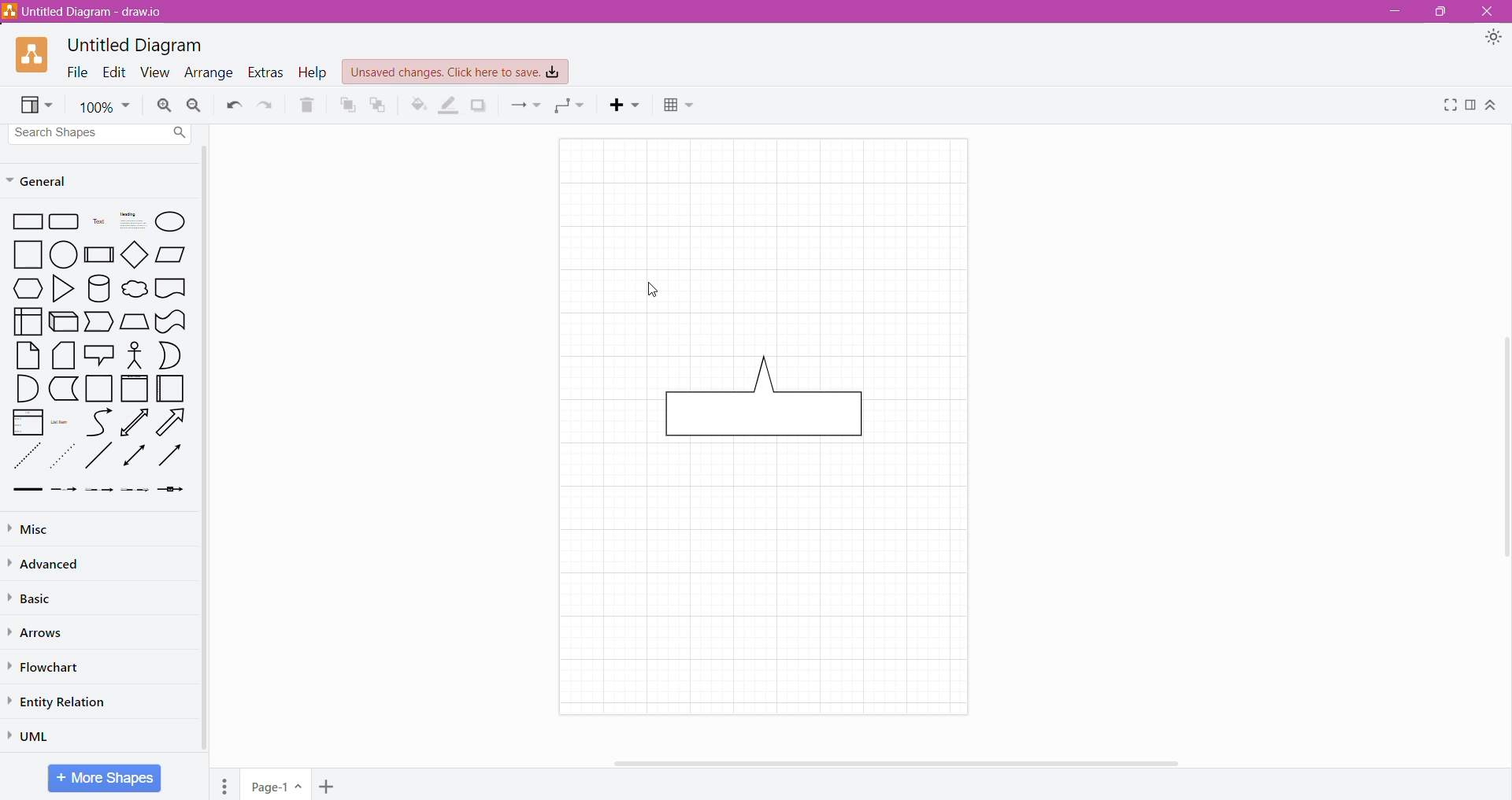 The image size is (1512, 800). What do you see at coordinates (39, 632) in the screenshot?
I see `Arrows` at bounding box center [39, 632].